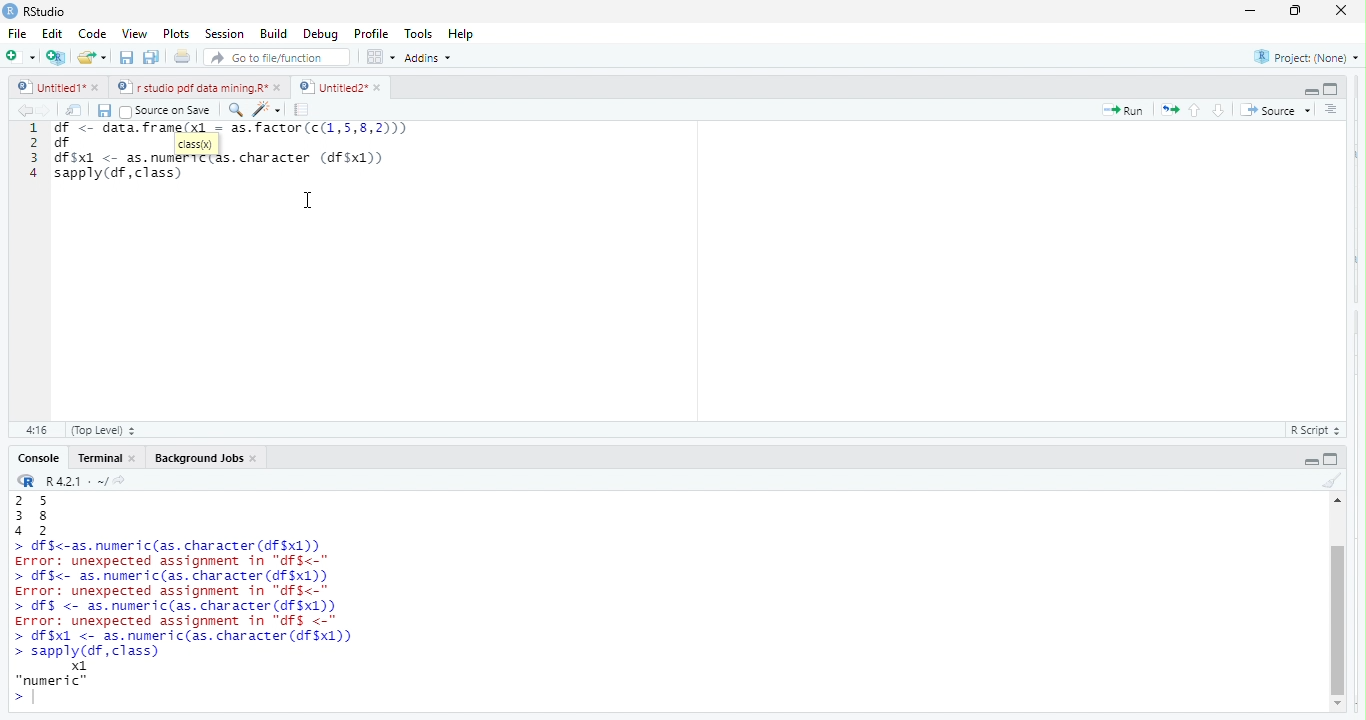 This screenshot has width=1366, height=720. Describe the element at coordinates (55, 34) in the screenshot. I see `Edit` at that location.